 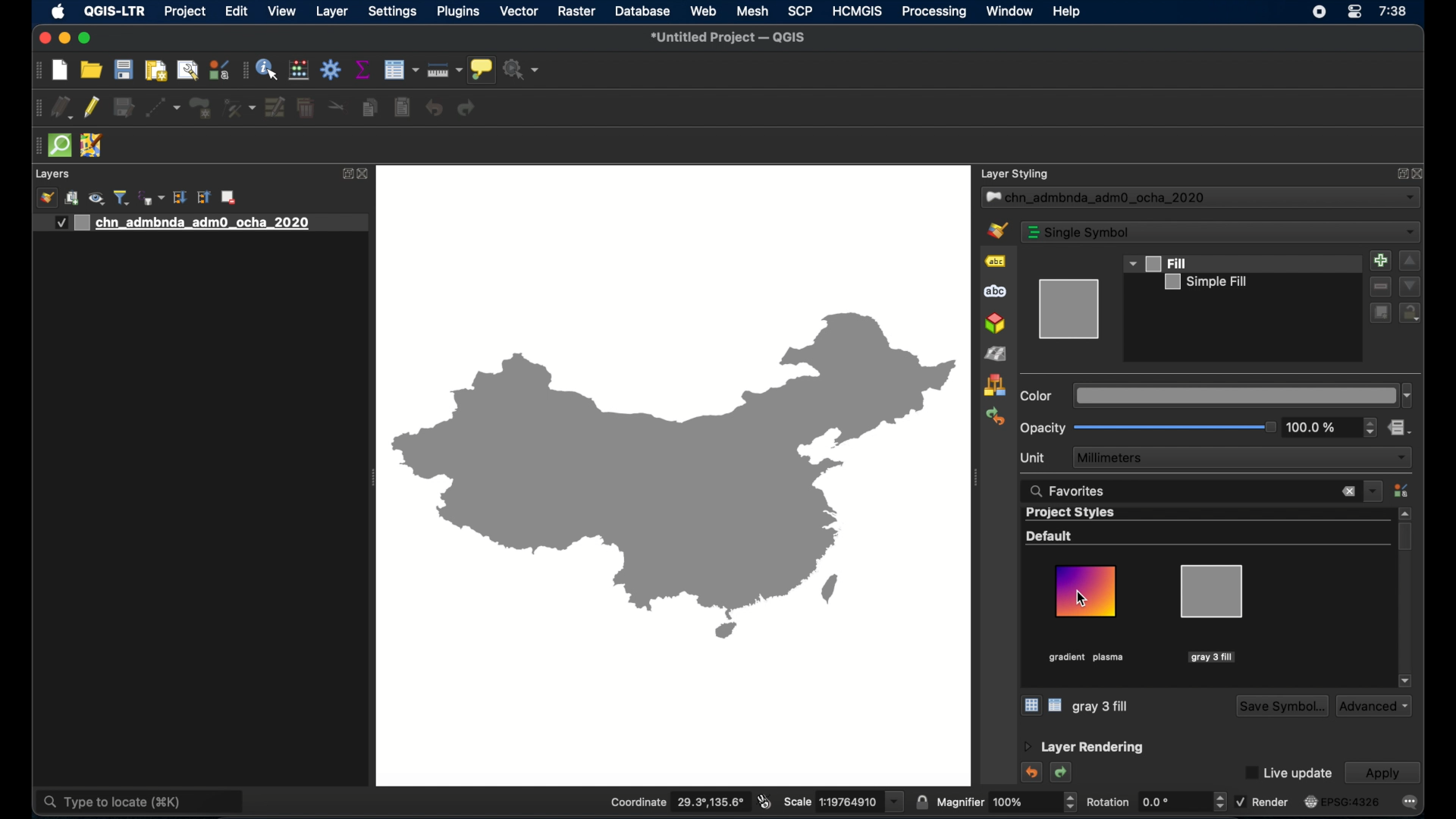 I want to click on save symbol, so click(x=1280, y=707).